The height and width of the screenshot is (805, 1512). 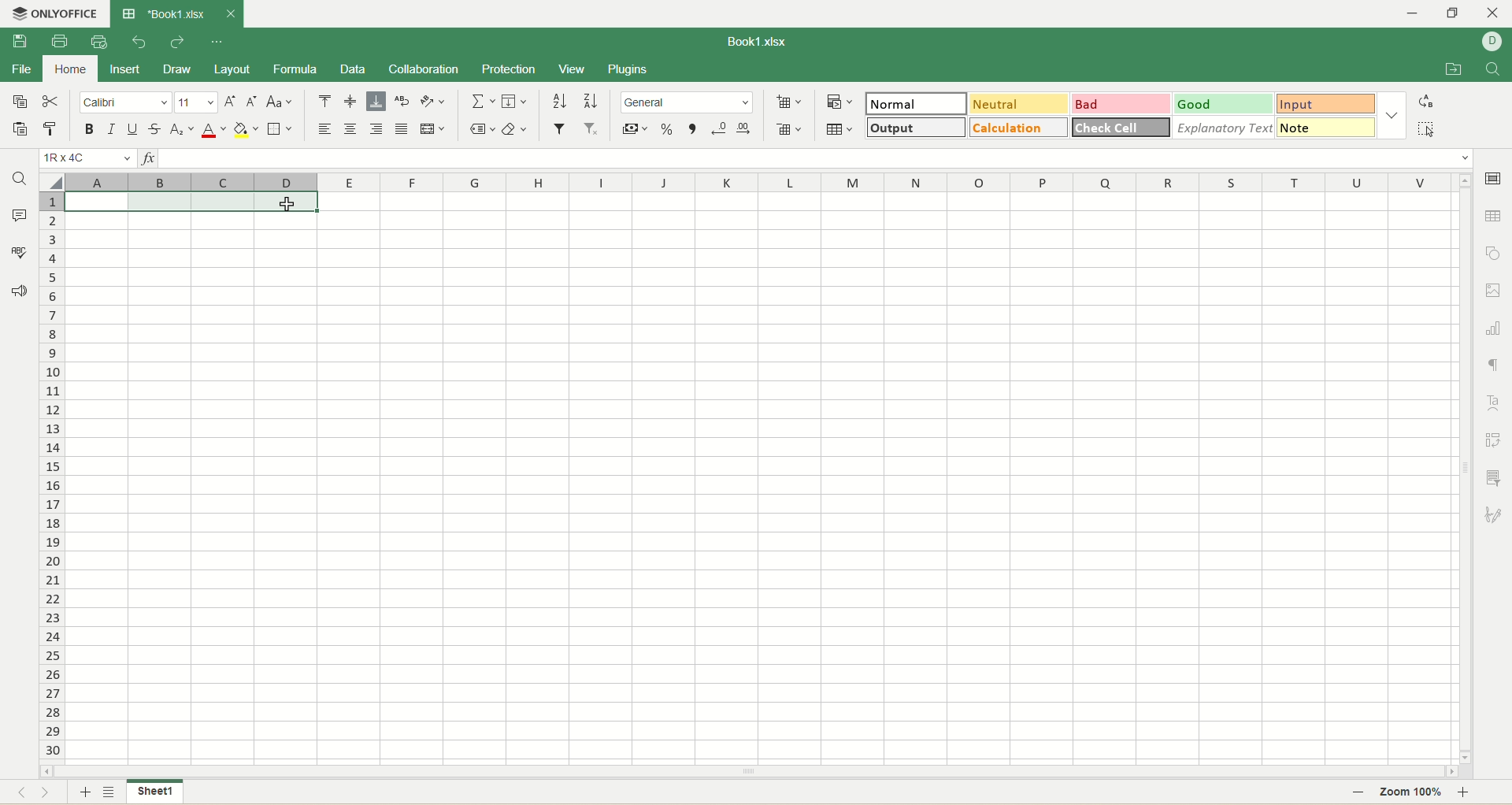 What do you see at coordinates (1411, 13) in the screenshot?
I see `minimize` at bounding box center [1411, 13].